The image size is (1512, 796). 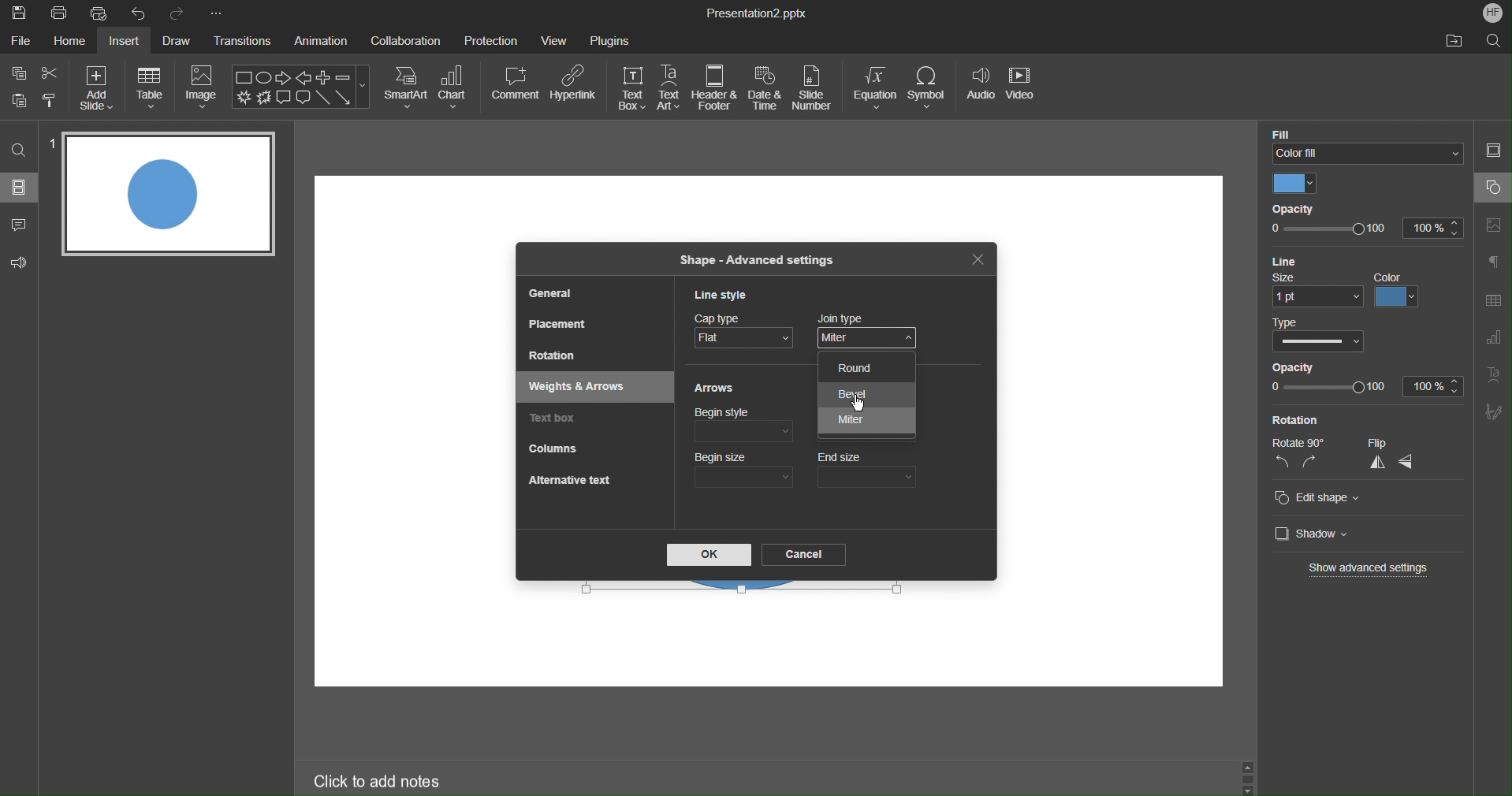 What do you see at coordinates (406, 87) in the screenshot?
I see `SmartArt` at bounding box center [406, 87].